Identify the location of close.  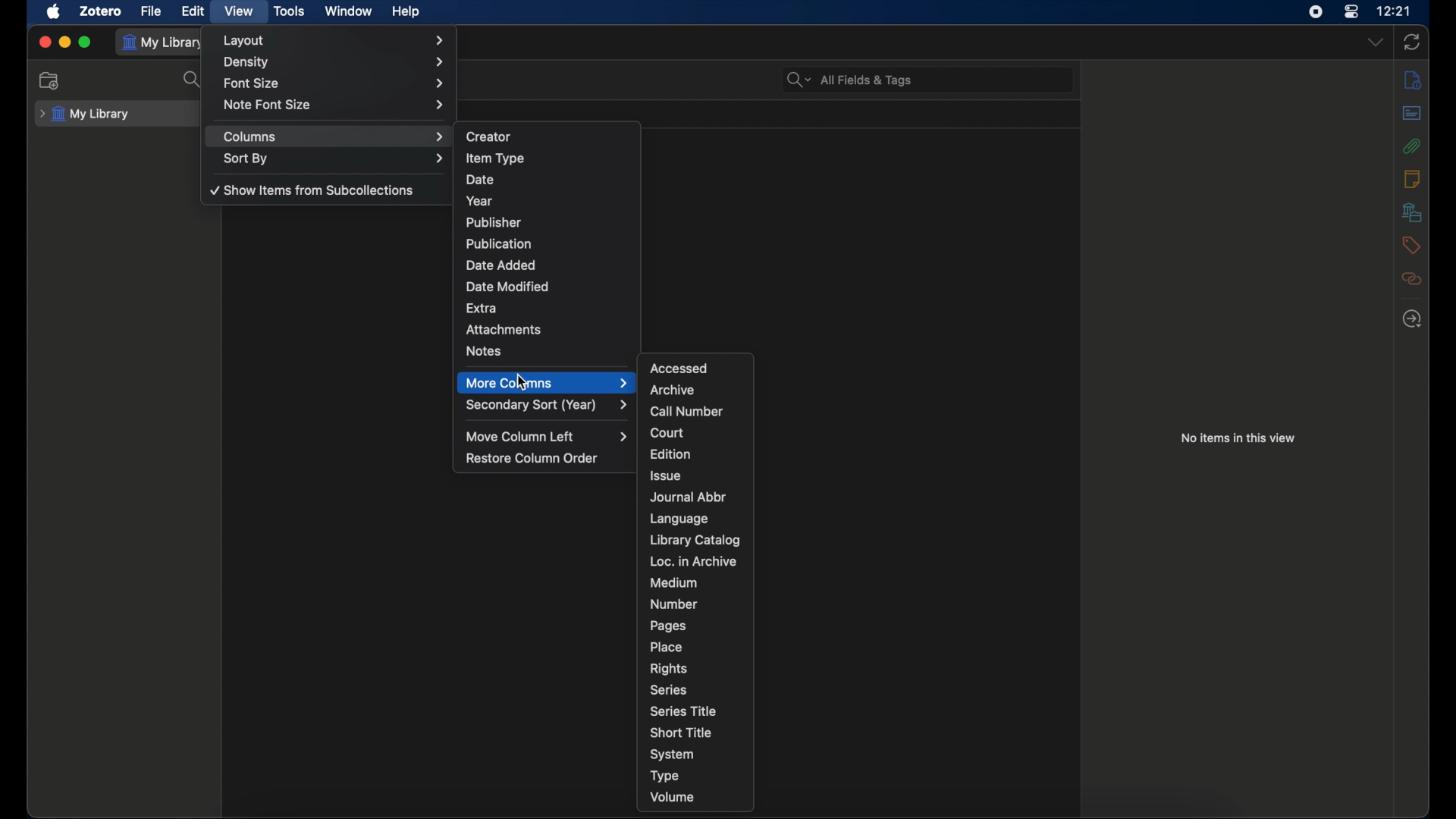
(45, 42).